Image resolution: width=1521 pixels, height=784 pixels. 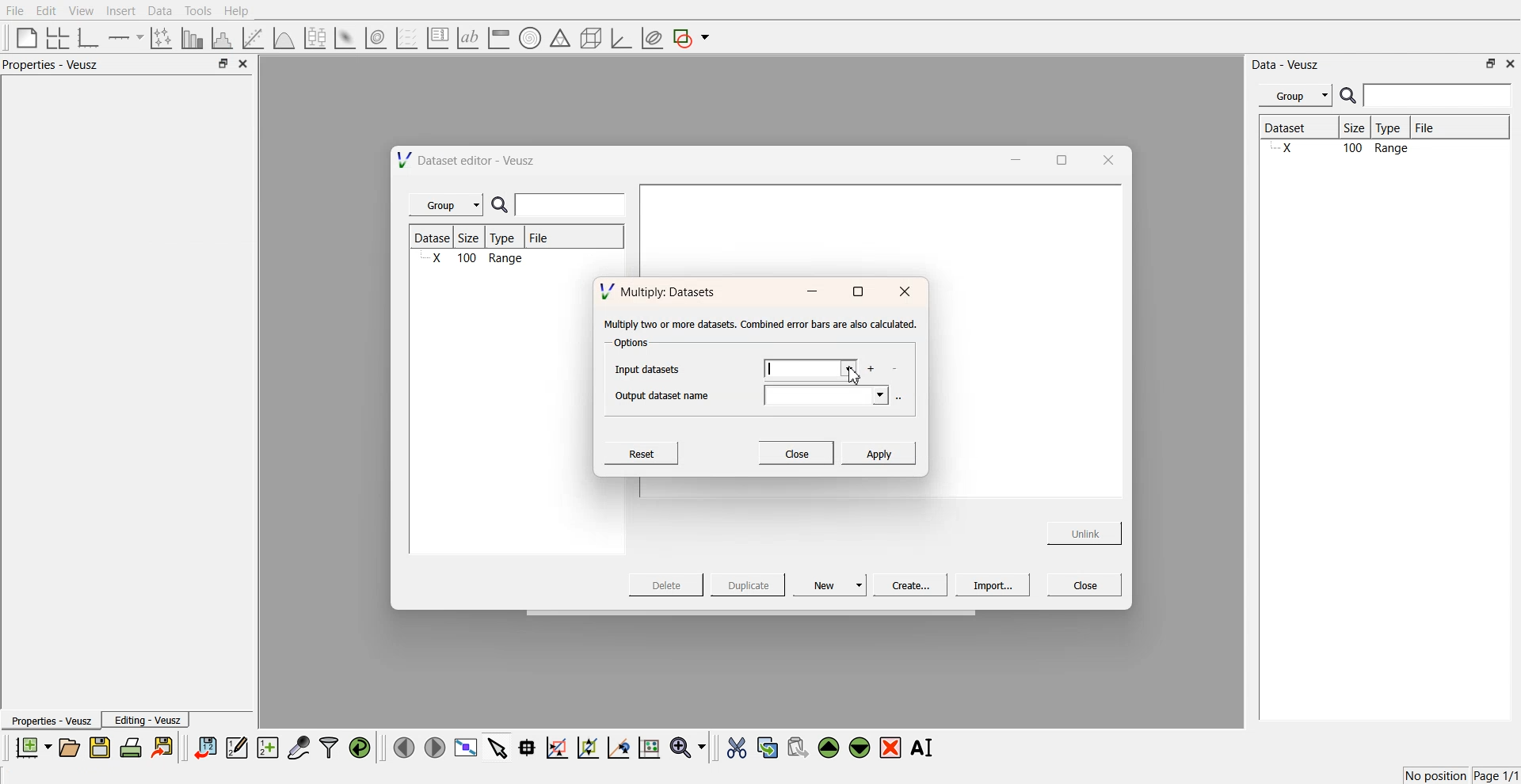 I want to click on create new datasets, so click(x=268, y=748).